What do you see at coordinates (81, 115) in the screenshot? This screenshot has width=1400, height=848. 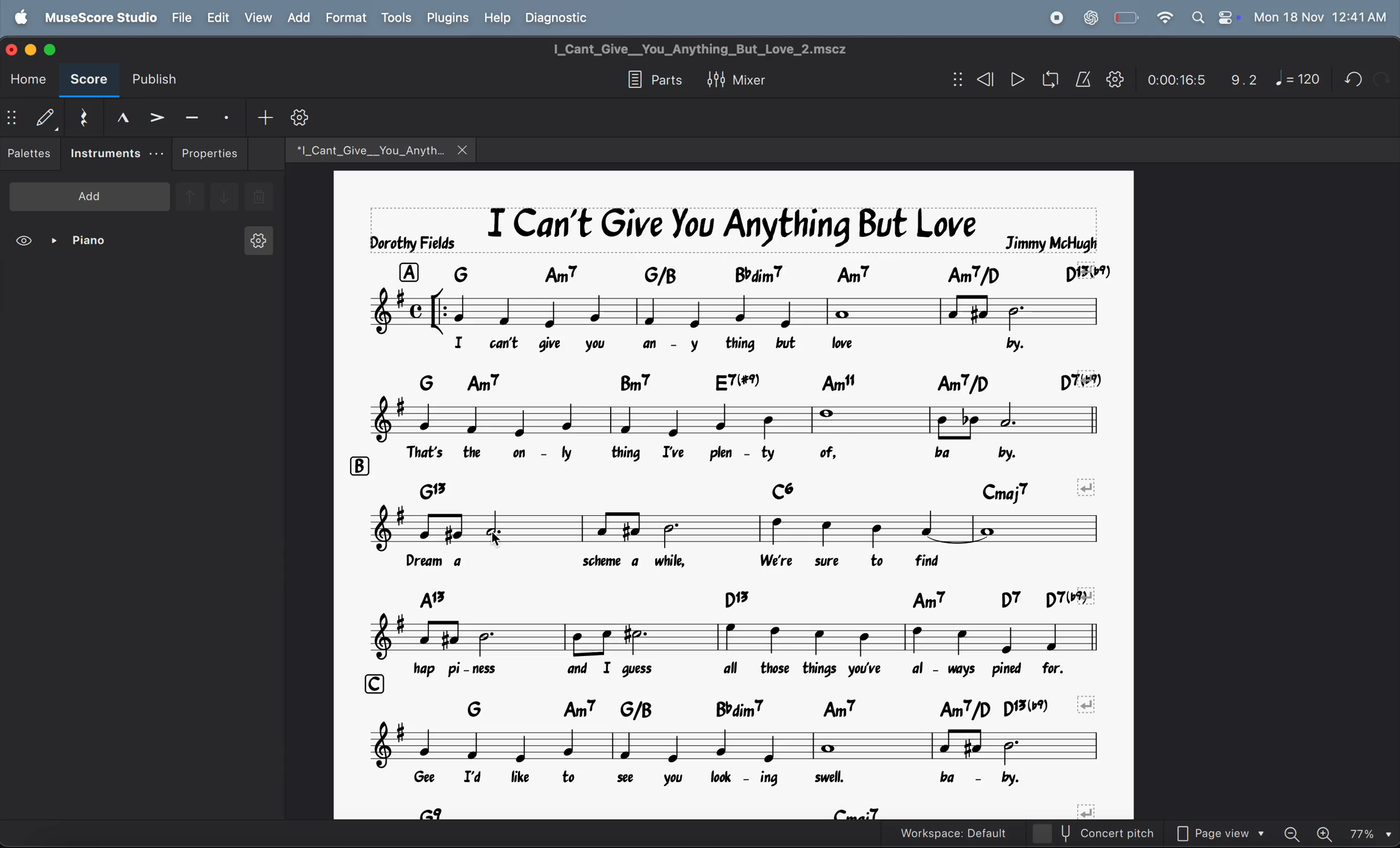 I see `rest` at bounding box center [81, 115].